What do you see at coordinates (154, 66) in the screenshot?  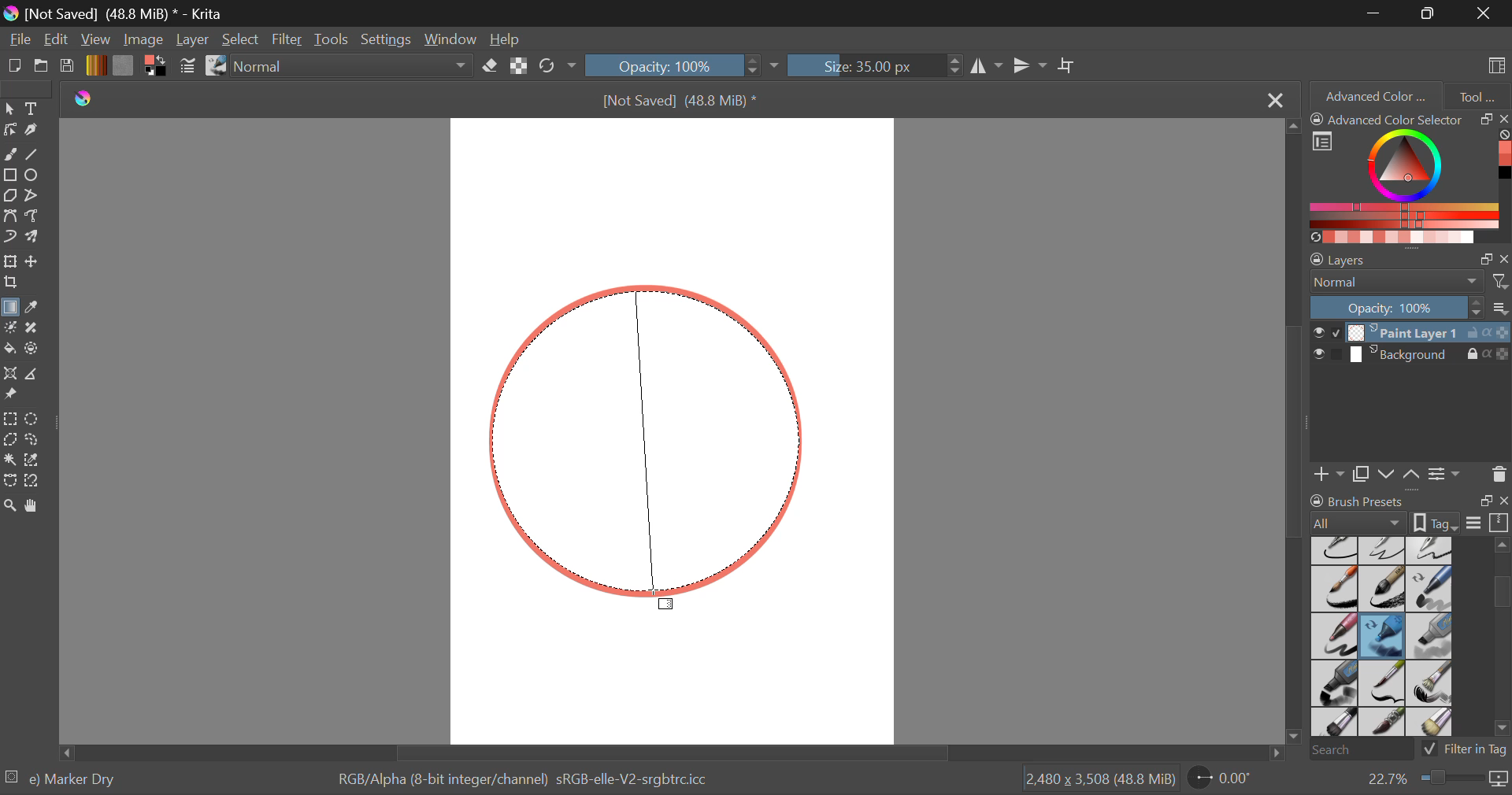 I see `Colors in Use` at bounding box center [154, 66].